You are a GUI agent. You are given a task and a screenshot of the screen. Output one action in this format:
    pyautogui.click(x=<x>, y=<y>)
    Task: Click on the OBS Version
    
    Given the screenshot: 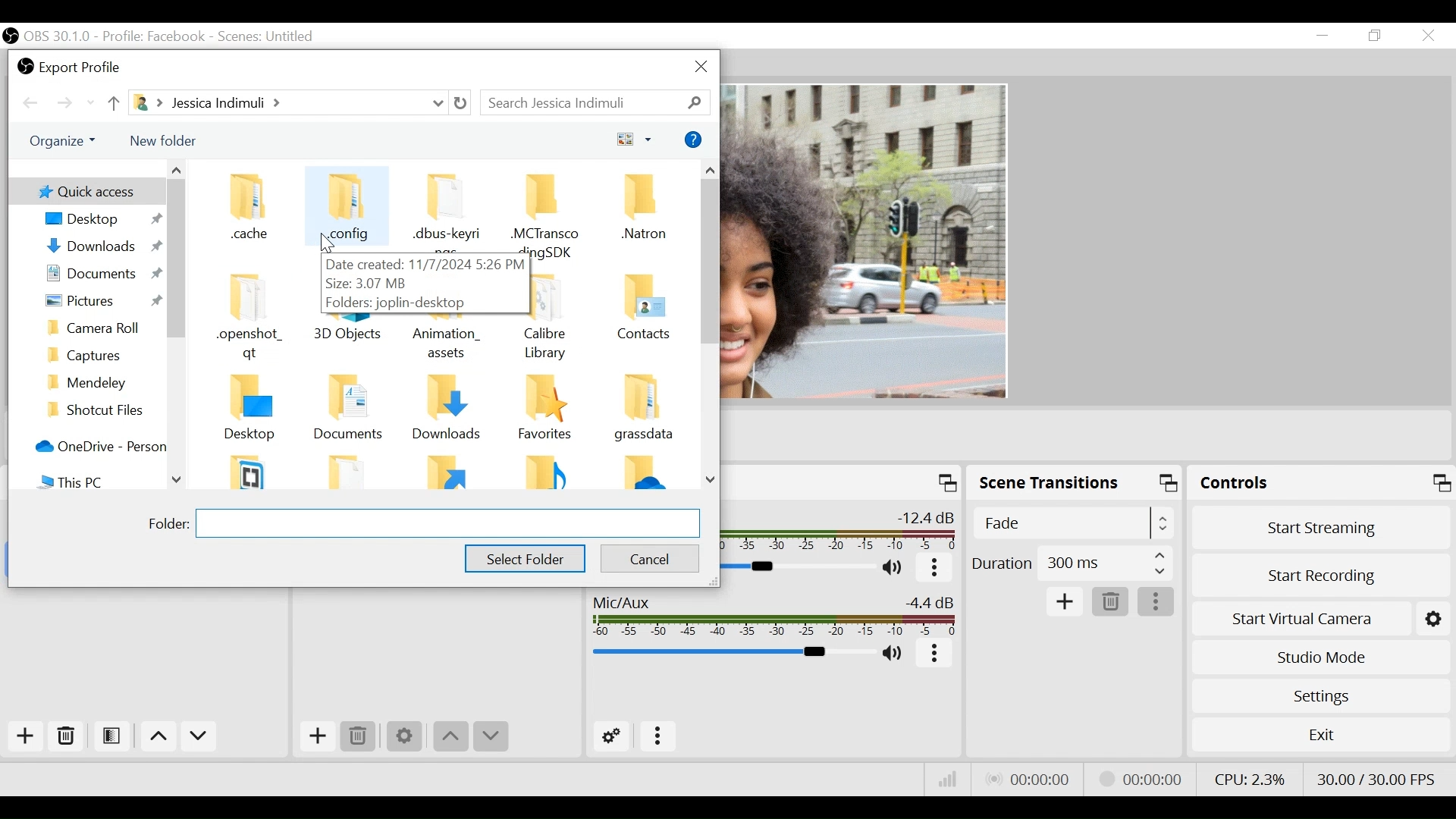 What is the action you would take?
    pyautogui.click(x=58, y=37)
    